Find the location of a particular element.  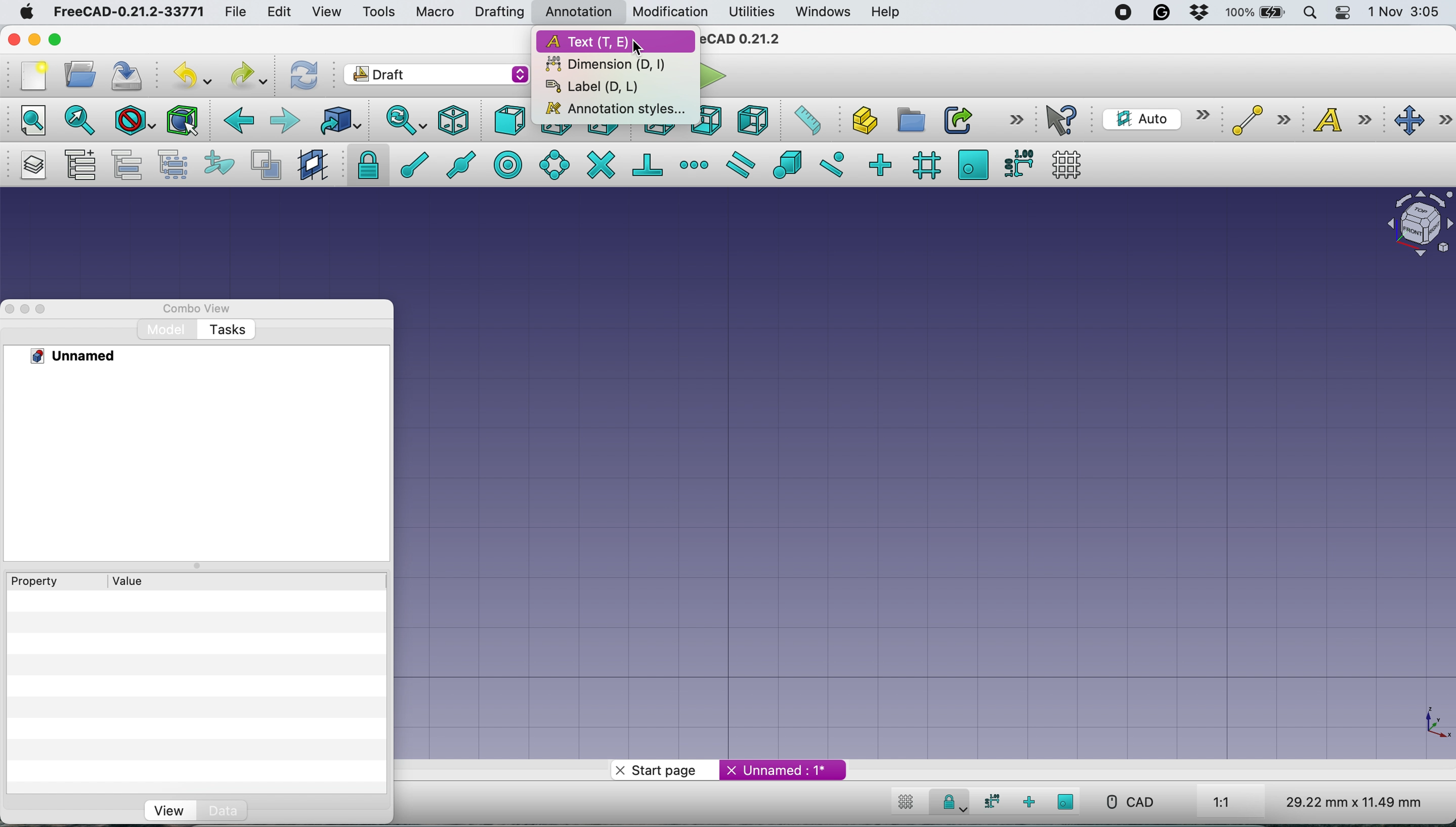

screen recorder is located at coordinates (1117, 12).